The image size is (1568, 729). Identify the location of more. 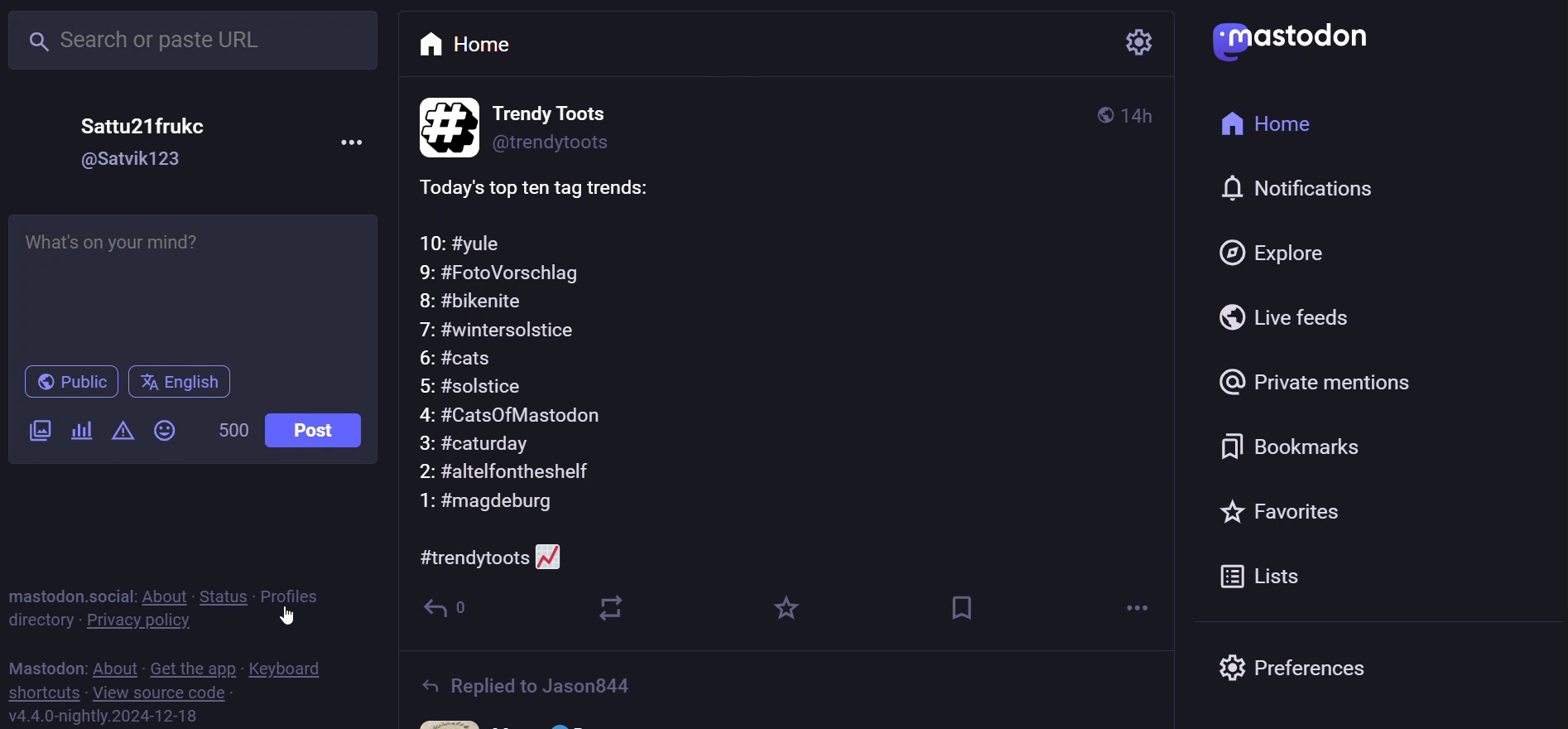
(353, 142).